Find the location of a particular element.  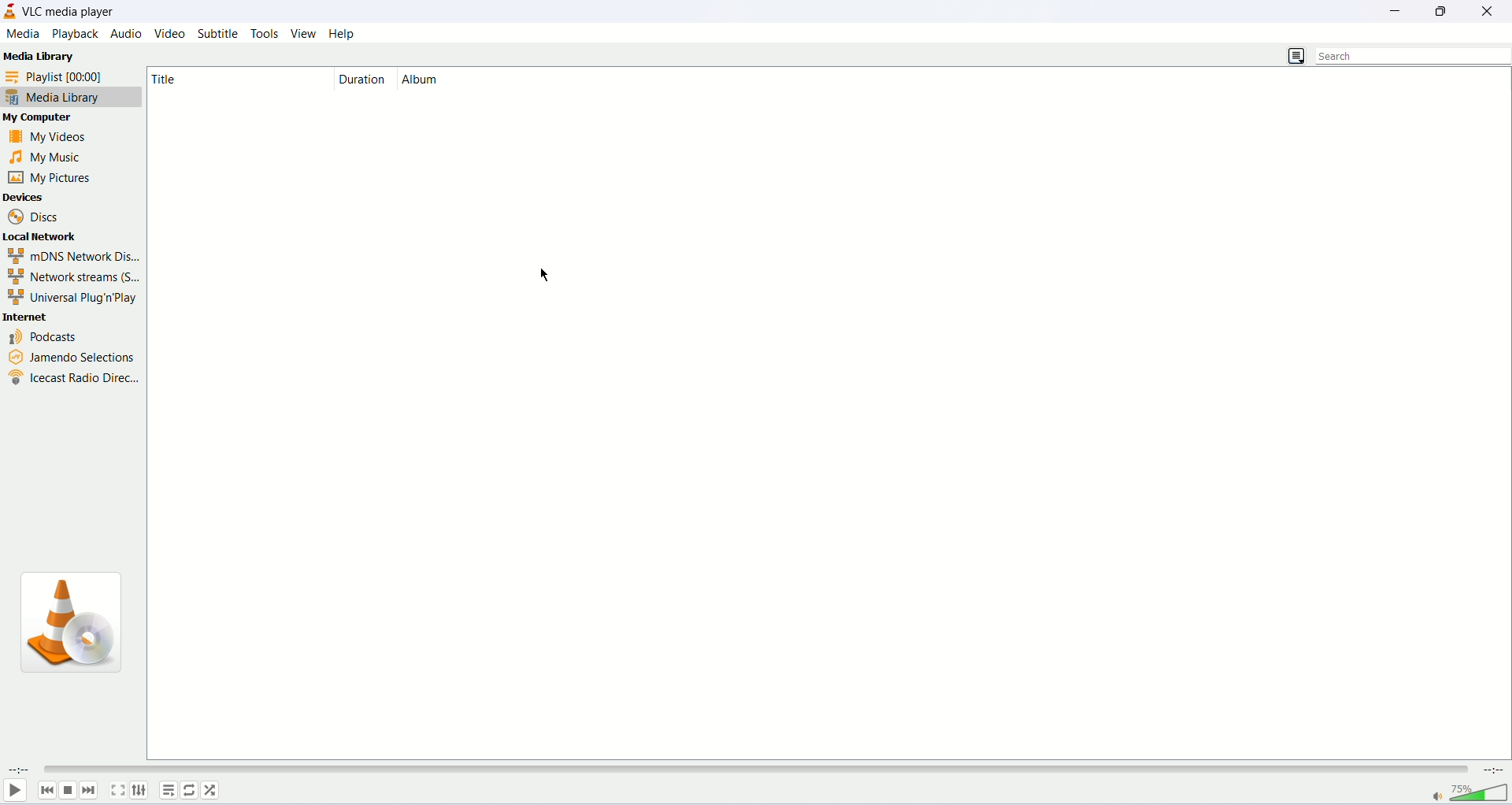

my music is located at coordinates (50, 158).